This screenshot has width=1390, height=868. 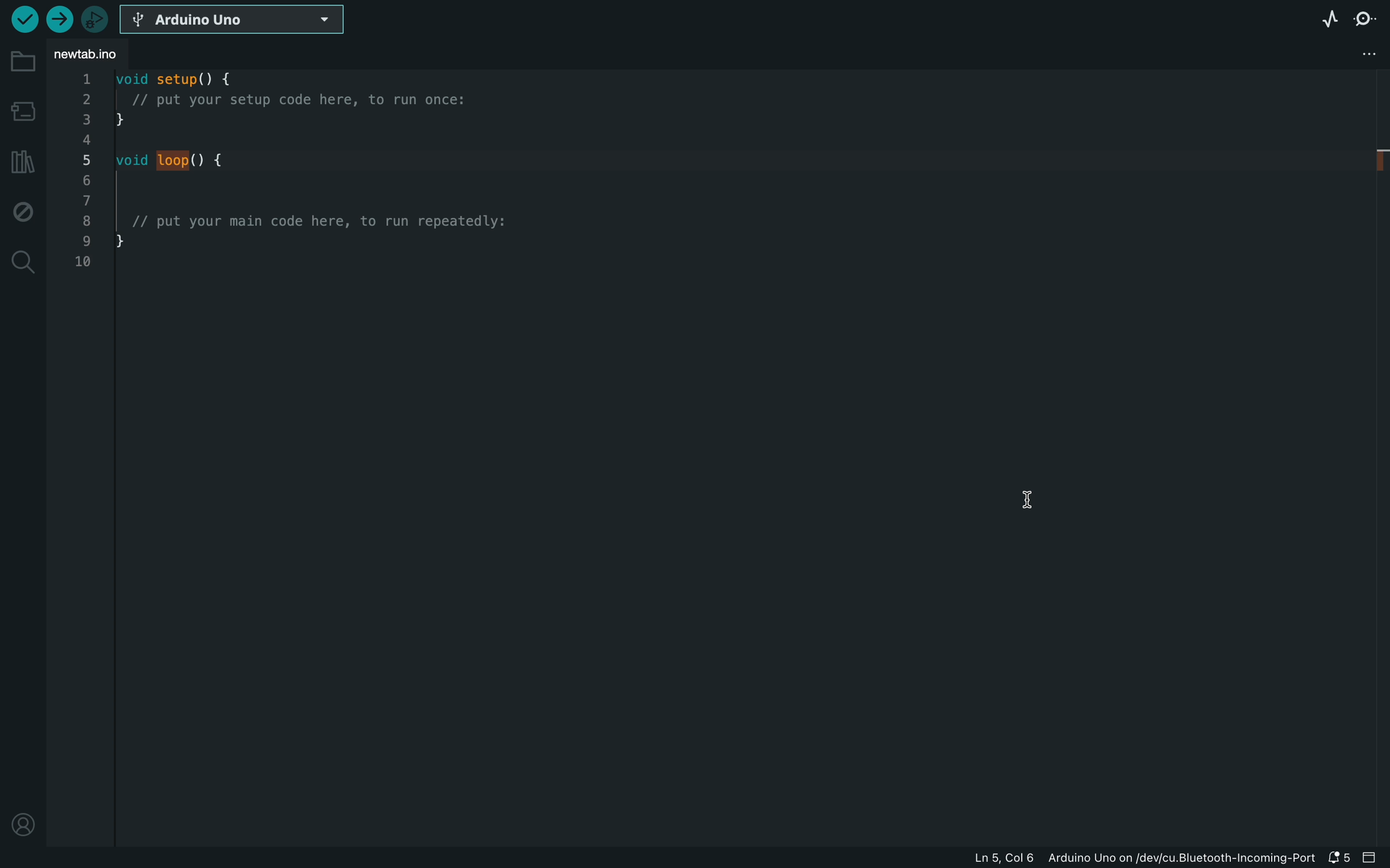 I want to click on debugger, so click(x=96, y=18).